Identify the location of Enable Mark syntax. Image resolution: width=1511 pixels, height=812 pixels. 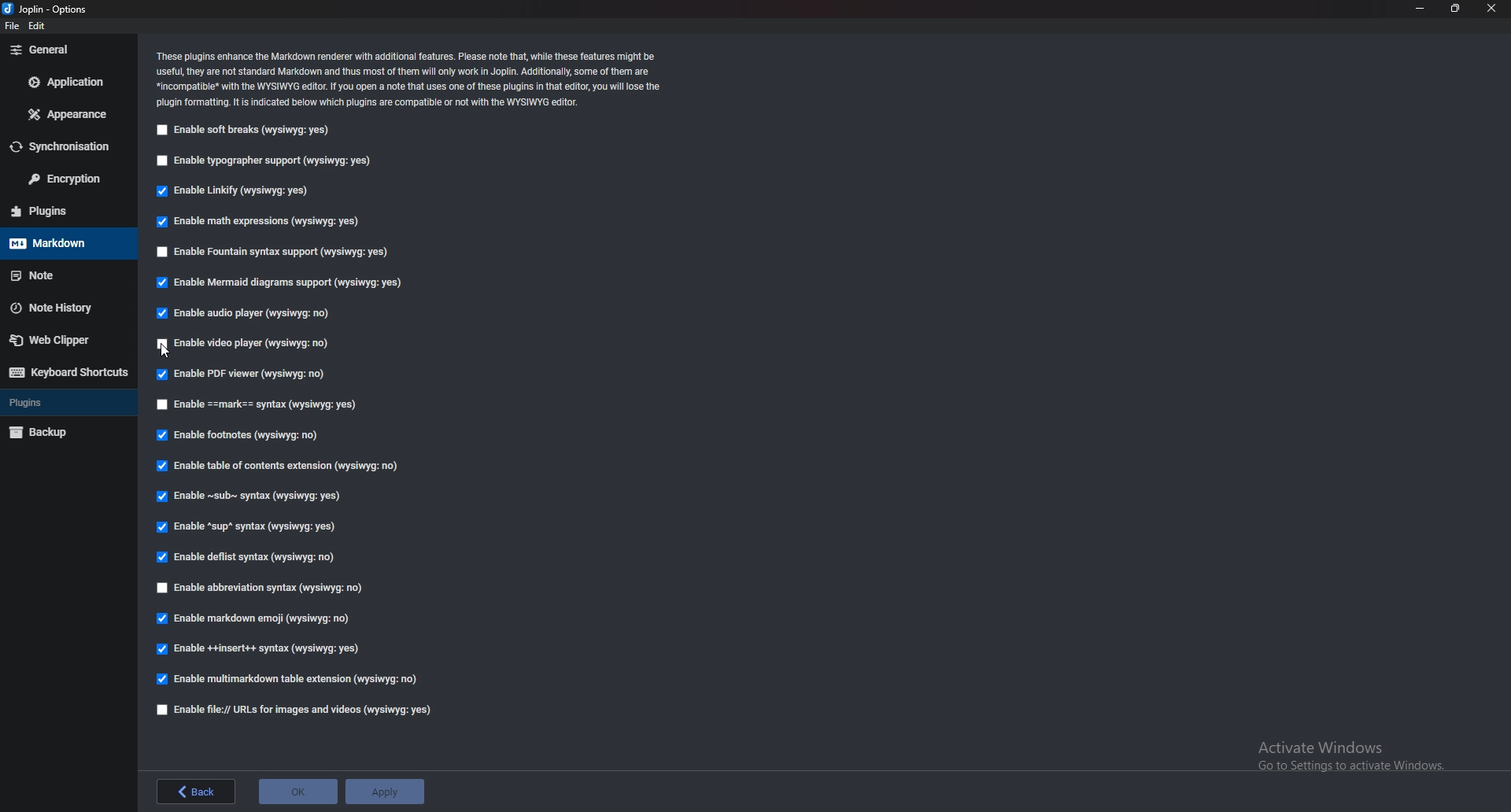
(285, 405).